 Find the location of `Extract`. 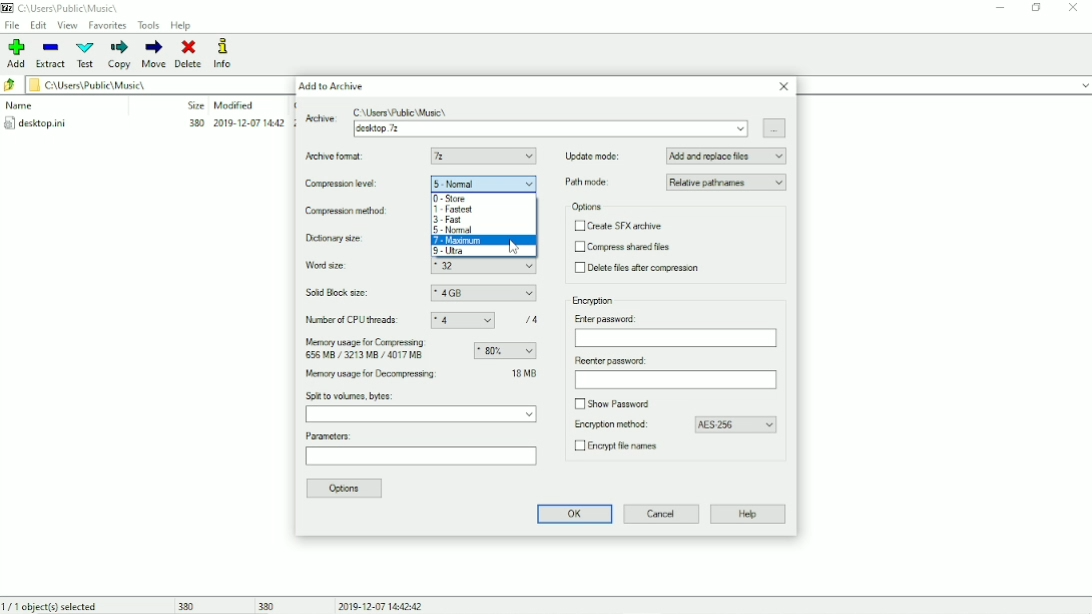

Extract is located at coordinates (50, 54).